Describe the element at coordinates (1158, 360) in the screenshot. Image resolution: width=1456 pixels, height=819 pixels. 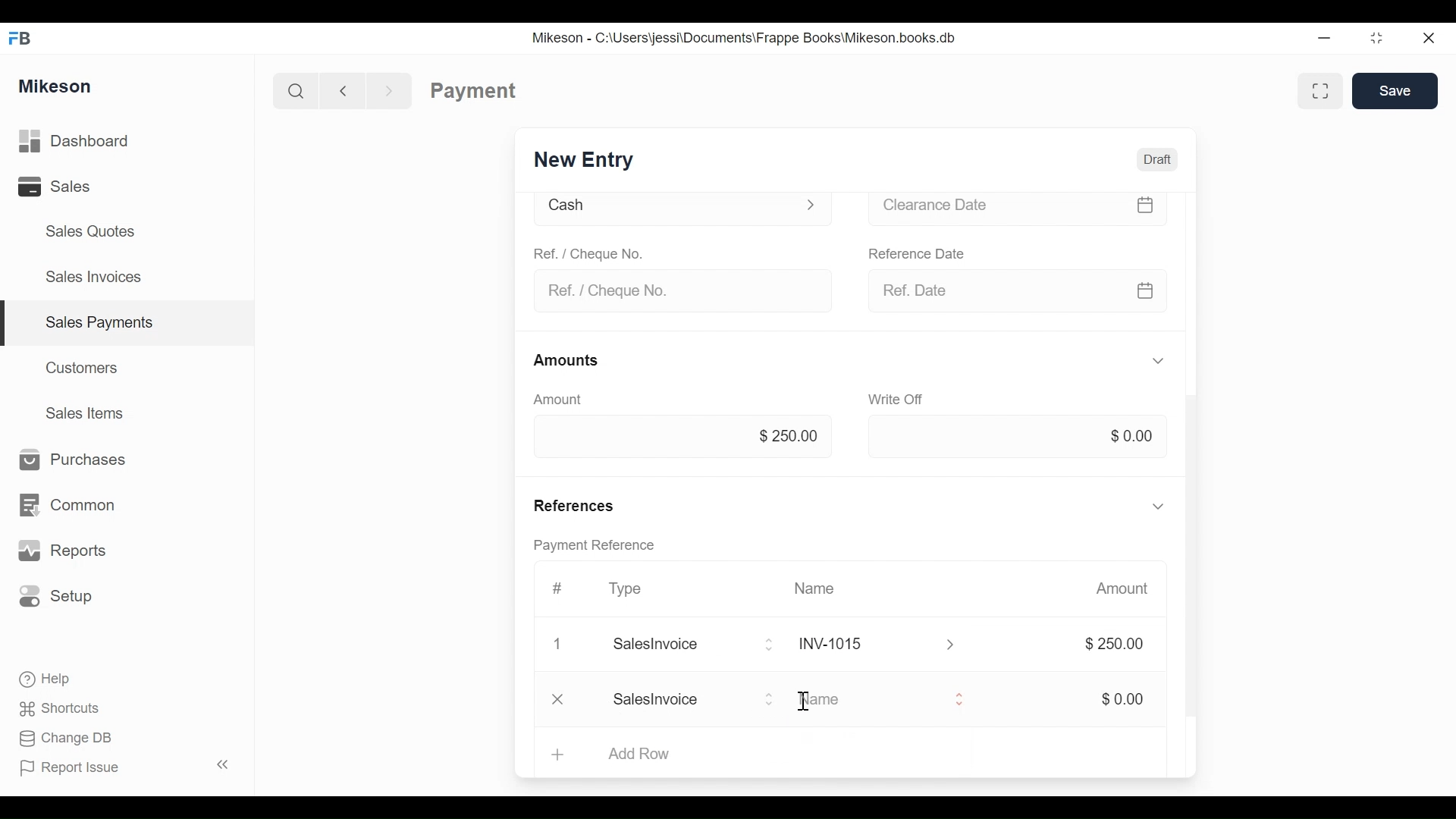
I see `Hide` at that location.